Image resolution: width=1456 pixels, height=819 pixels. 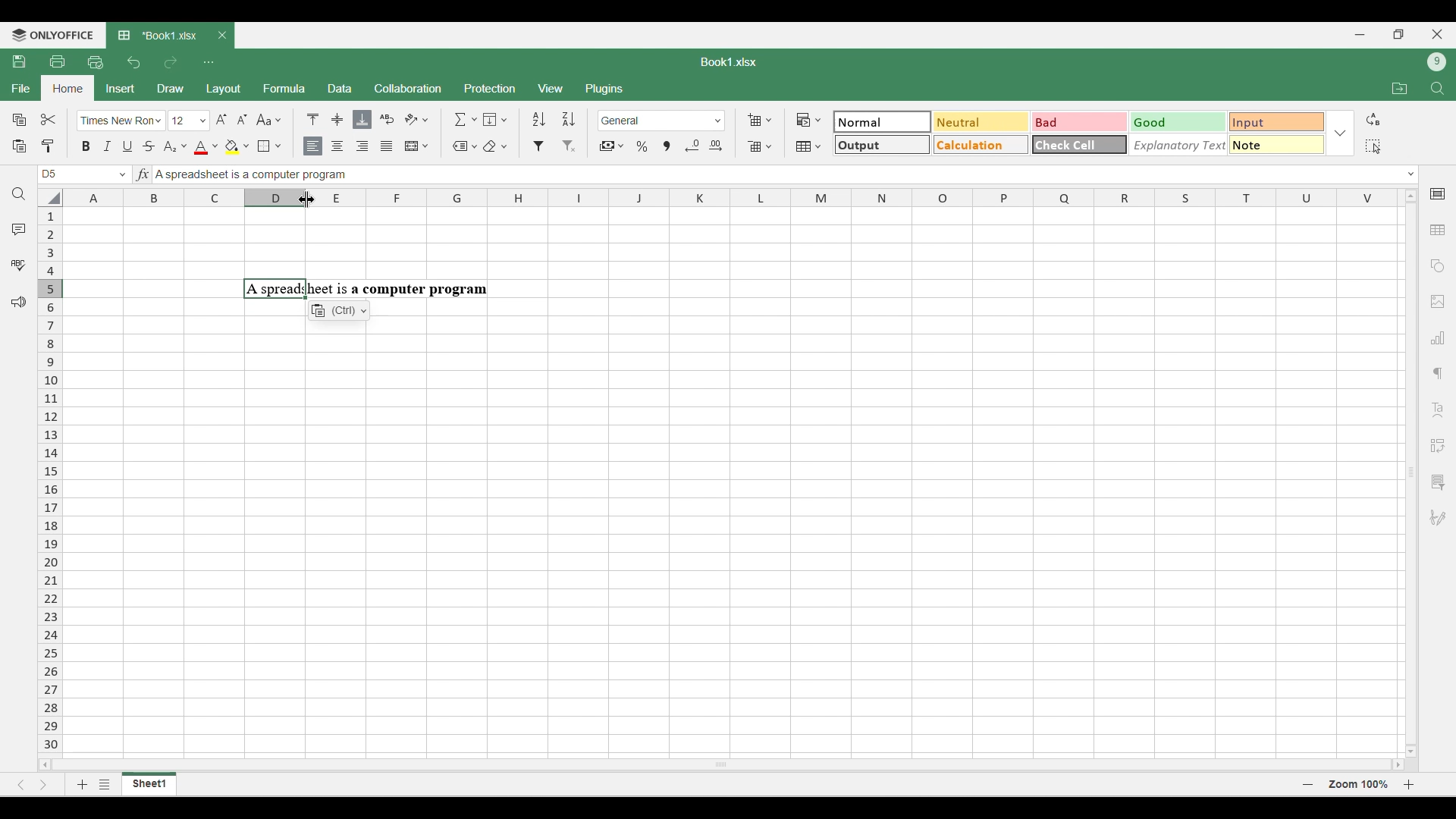 What do you see at coordinates (759, 146) in the screenshot?
I see `Delete cell options` at bounding box center [759, 146].